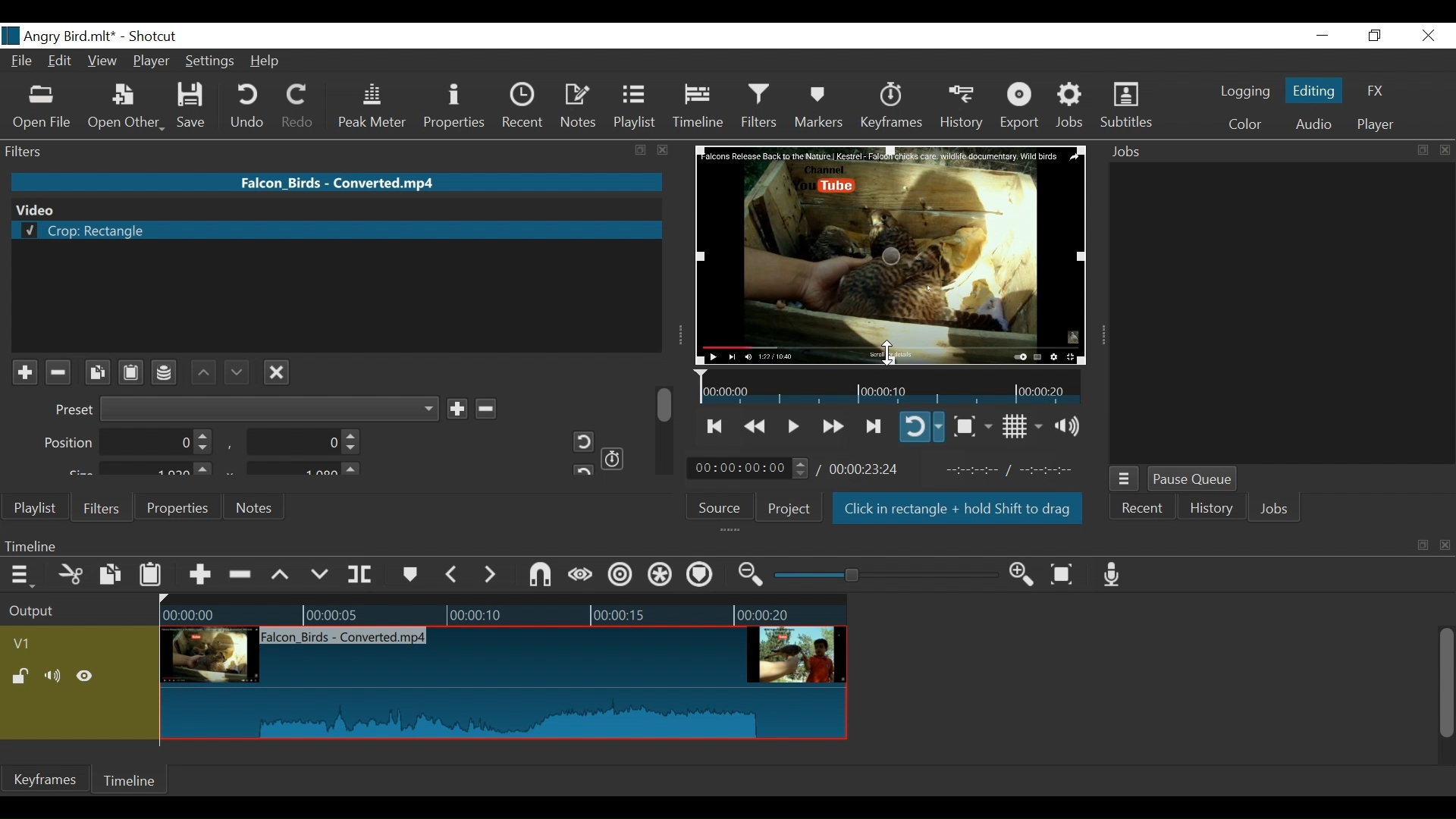  I want to click on Clipboard, so click(133, 371).